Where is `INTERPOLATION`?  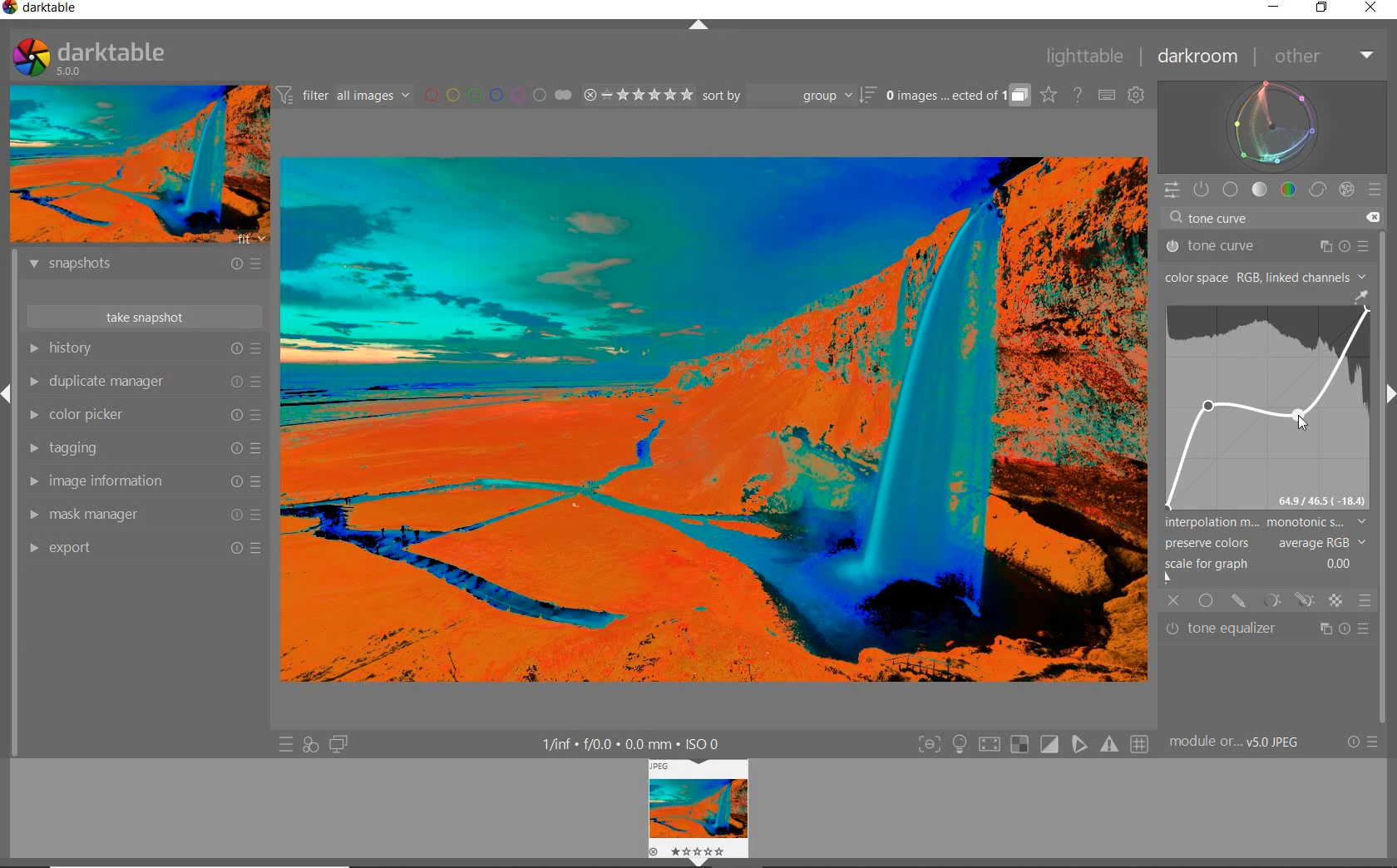 INTERPOLATION is located at coordinates (1266, 524).